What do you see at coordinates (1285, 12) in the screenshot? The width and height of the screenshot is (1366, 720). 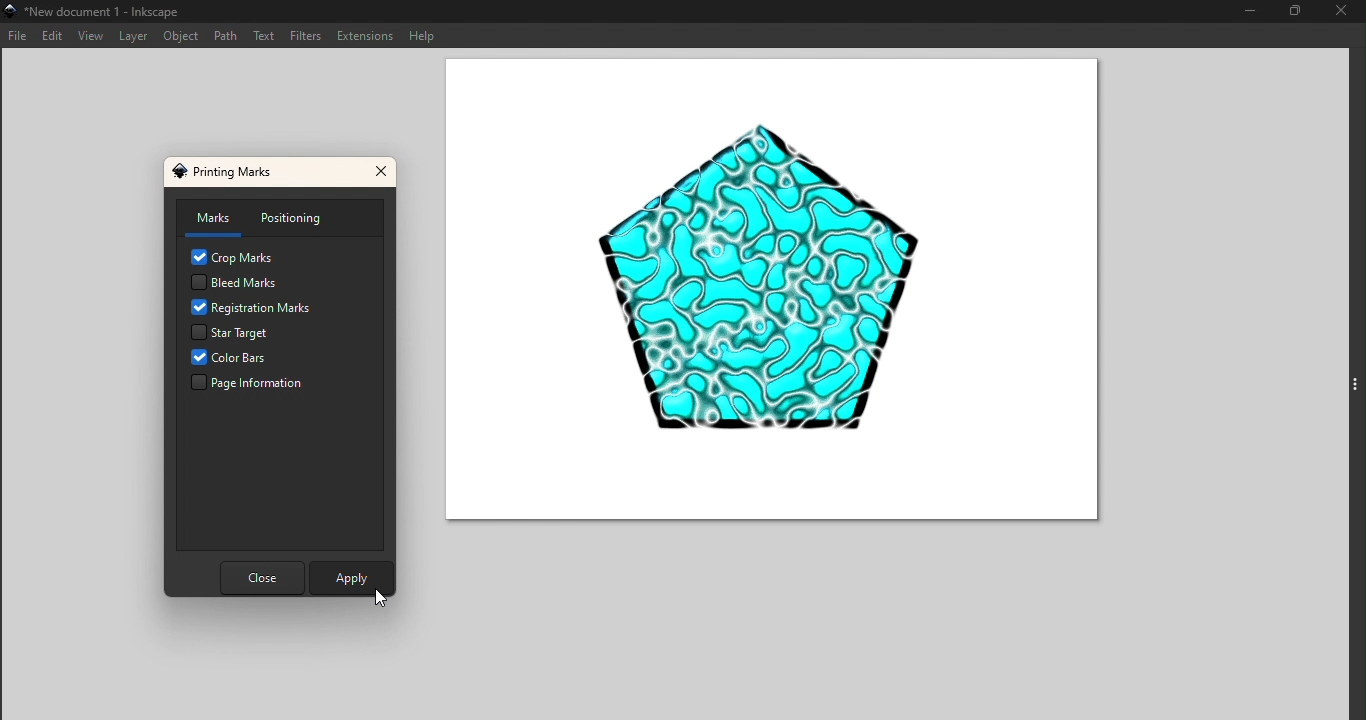 I see `Maximize` at bounding box center [1285, 12].